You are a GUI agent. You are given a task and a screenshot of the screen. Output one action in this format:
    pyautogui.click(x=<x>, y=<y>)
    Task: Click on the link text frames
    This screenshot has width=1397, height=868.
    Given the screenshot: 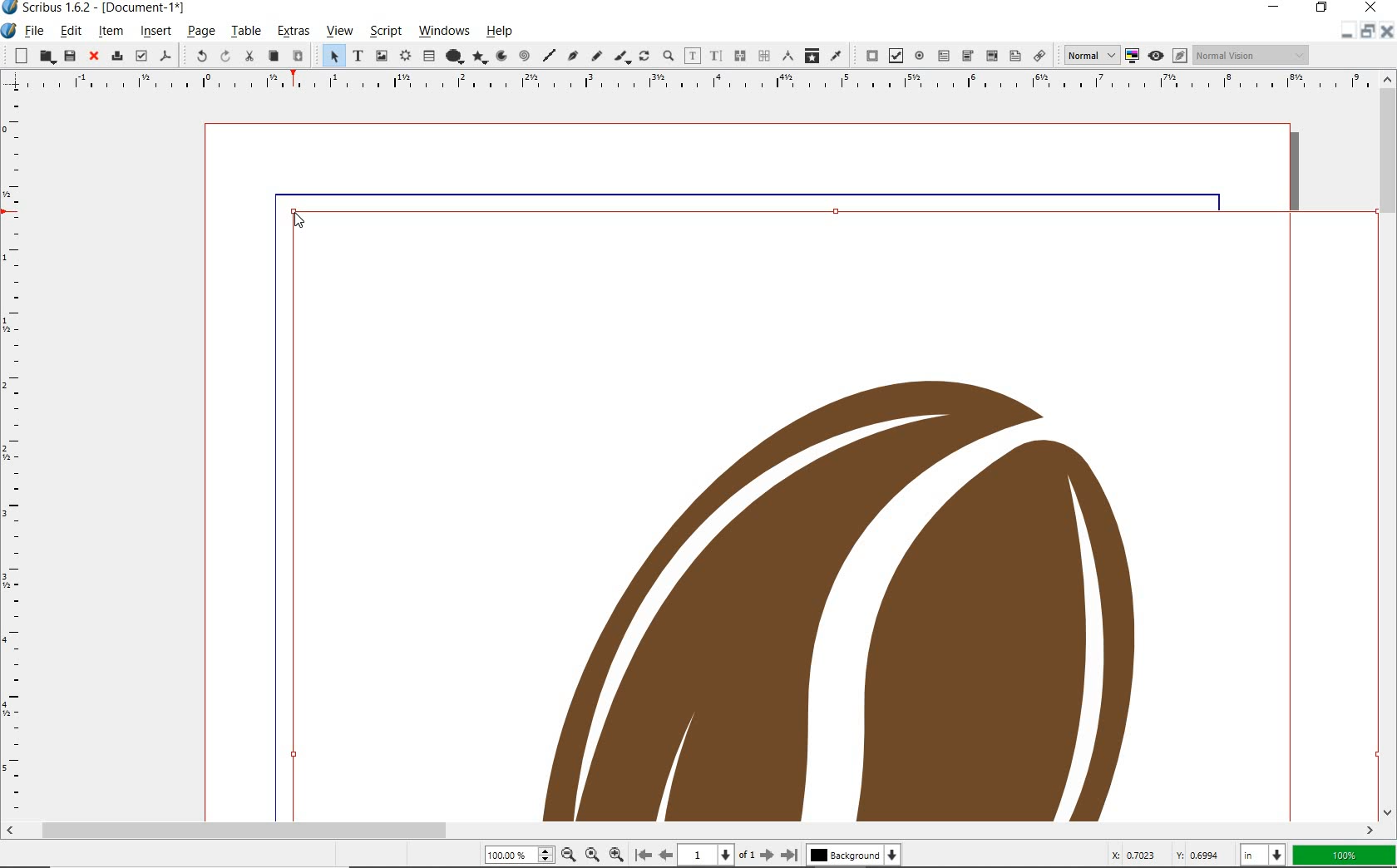 What is the action you would take?
    pyautogui.click(x=739, y=56)
    